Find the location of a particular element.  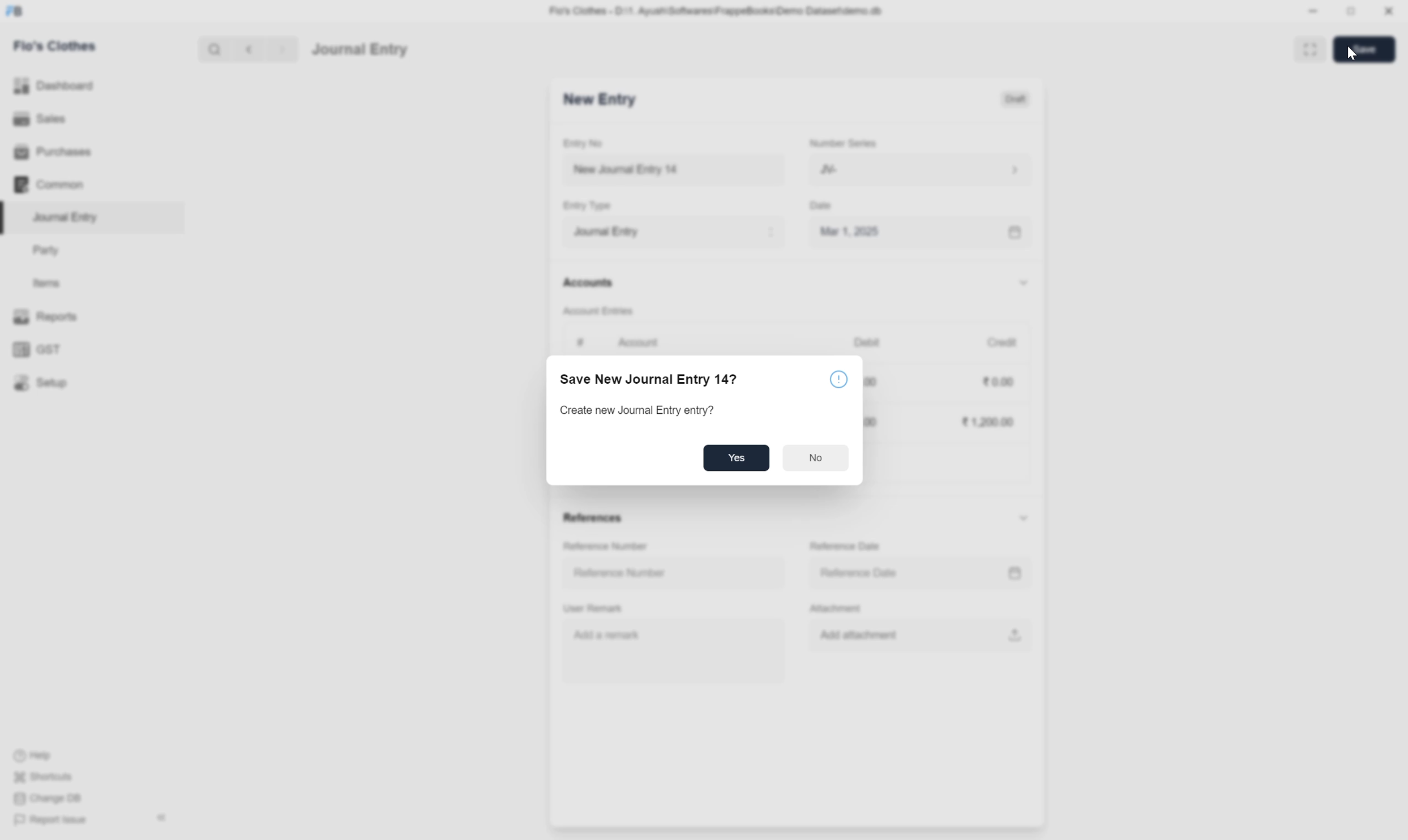

calendar is located at coordinates (1013, 573).